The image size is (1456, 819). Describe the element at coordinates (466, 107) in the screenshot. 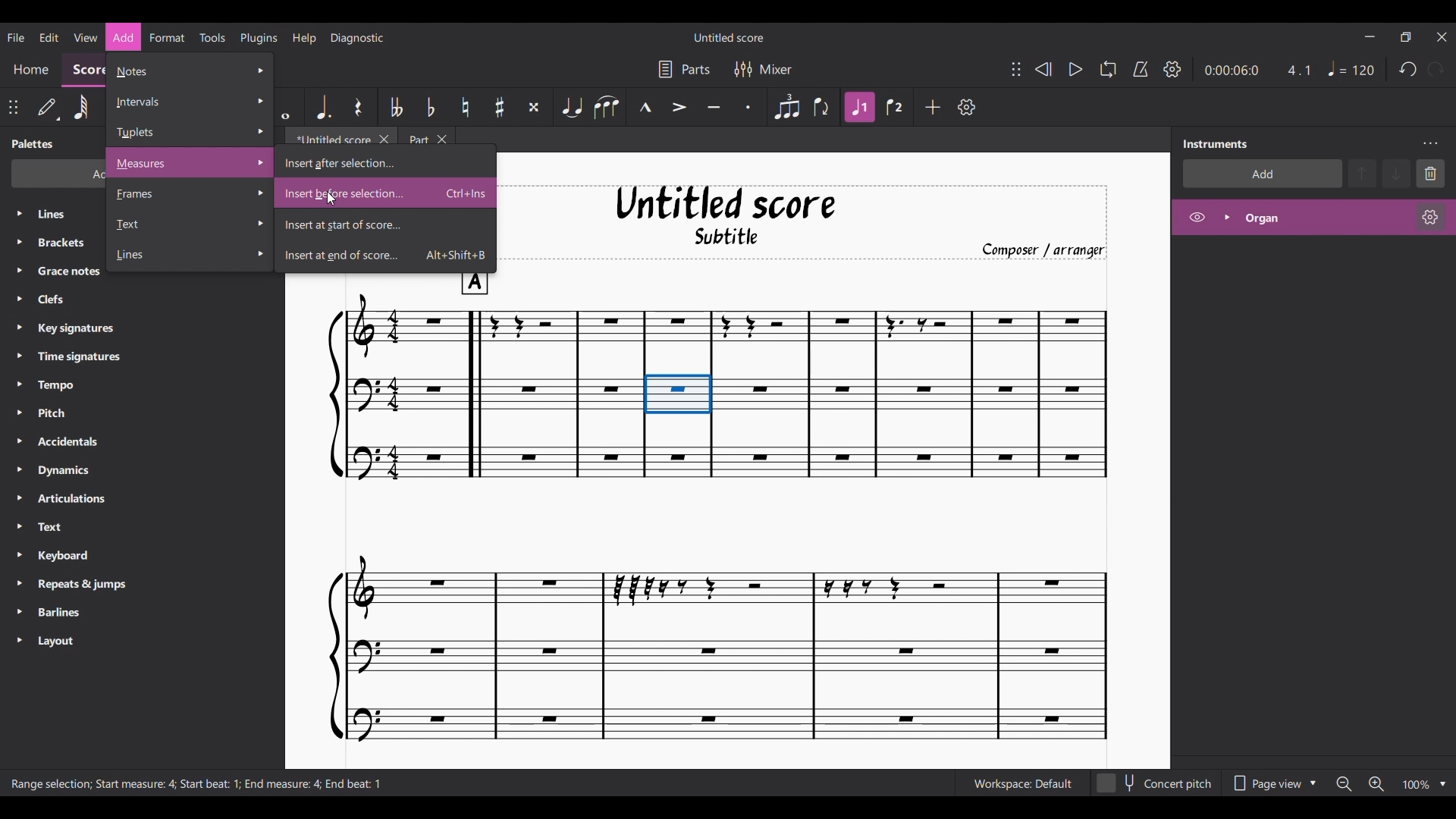

I see `Toggle natural` at that location.